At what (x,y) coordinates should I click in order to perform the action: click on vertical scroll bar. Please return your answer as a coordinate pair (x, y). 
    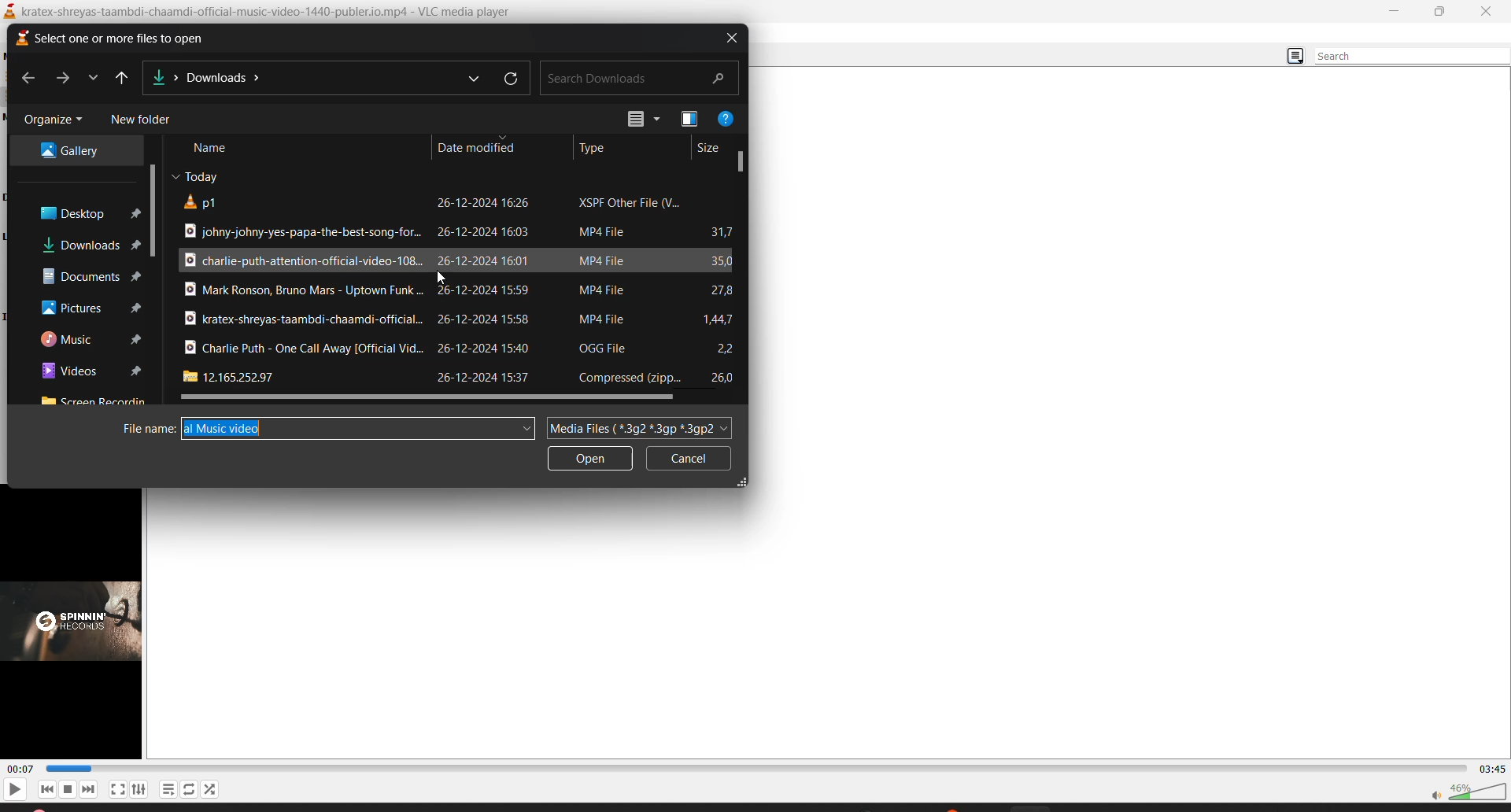
    Looking at the image, I should click on (155, 211).